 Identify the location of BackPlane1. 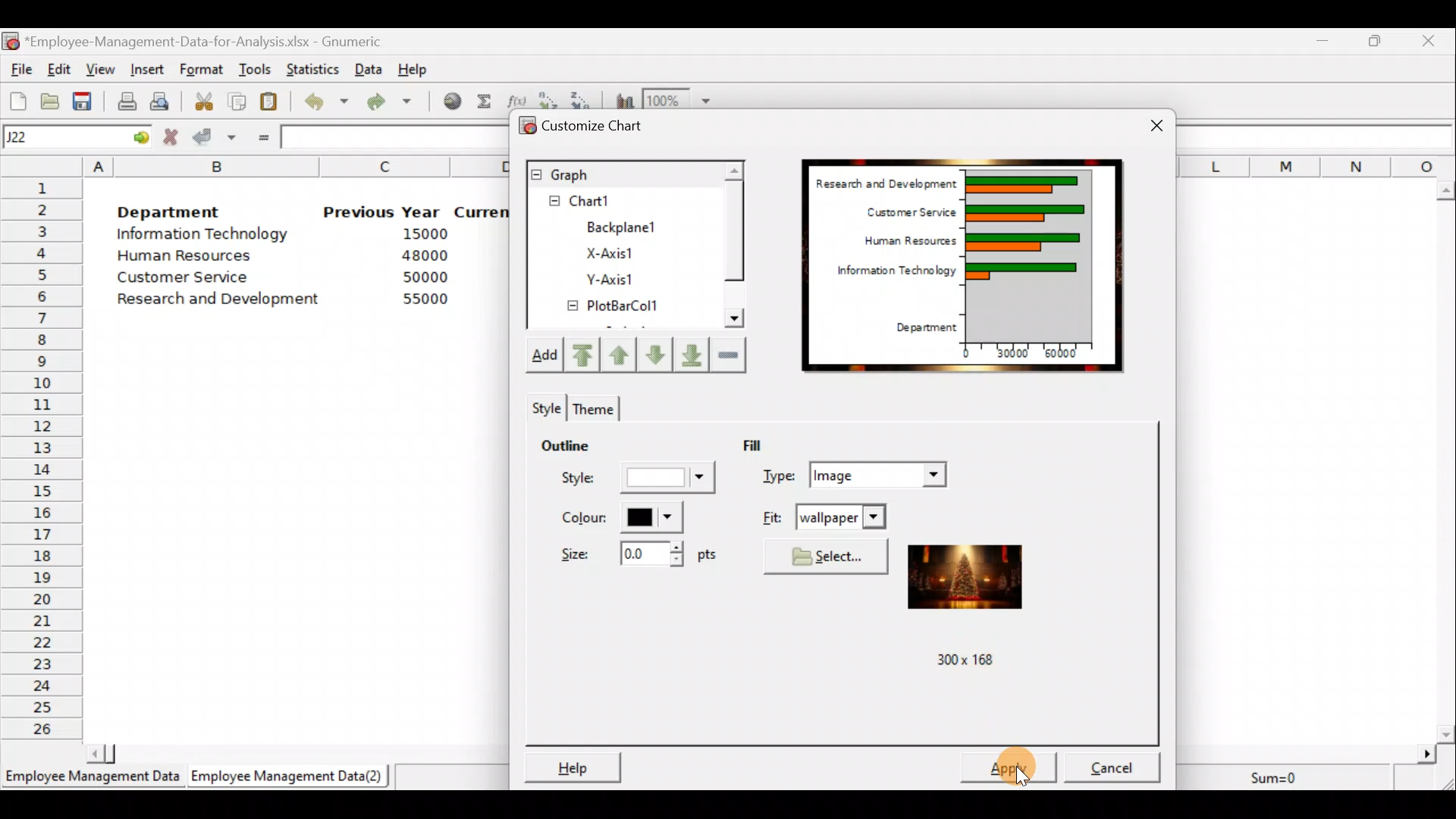
(631, 225).